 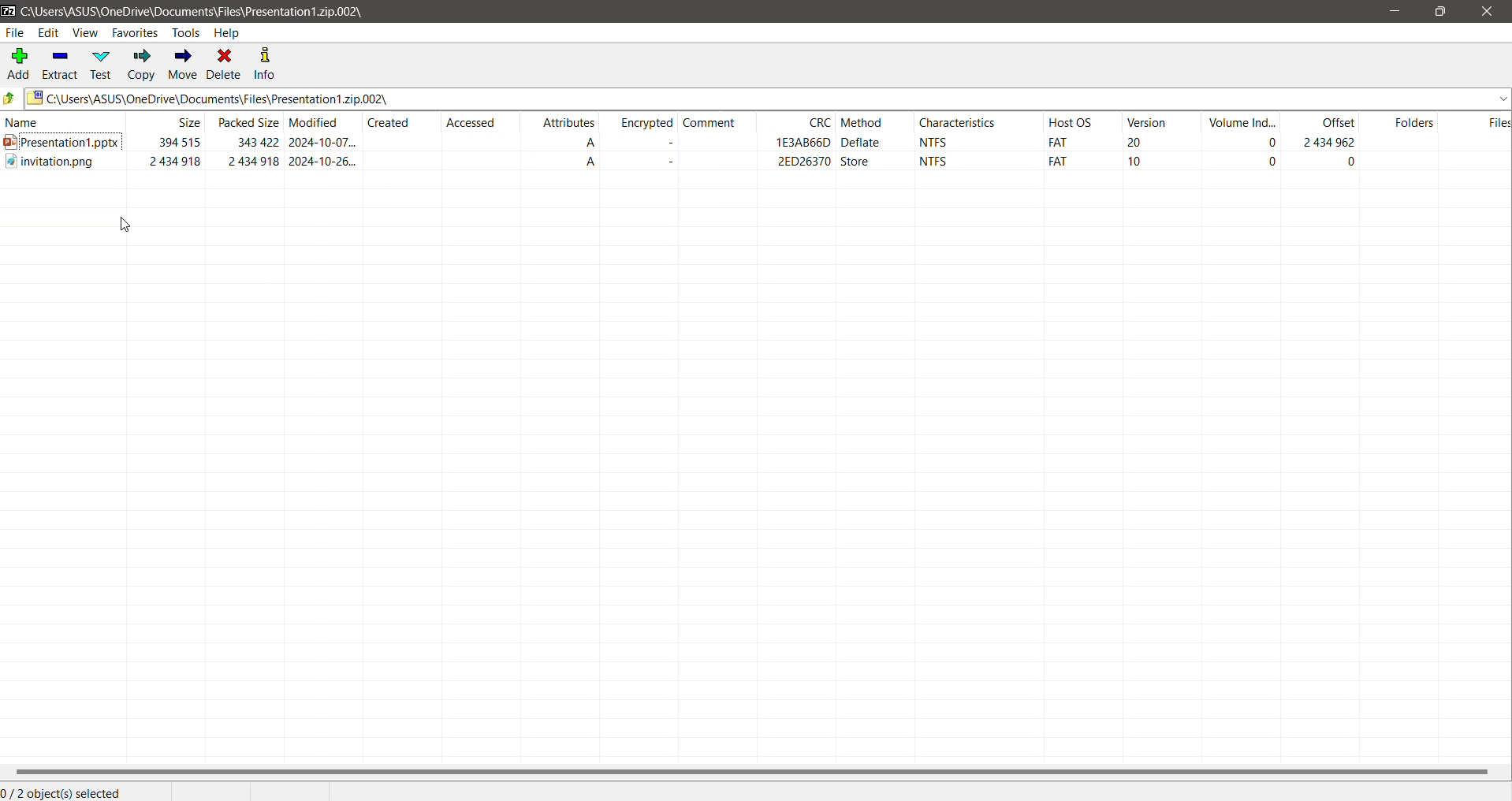 I want to click on 0, so click(x=1265, y=162).